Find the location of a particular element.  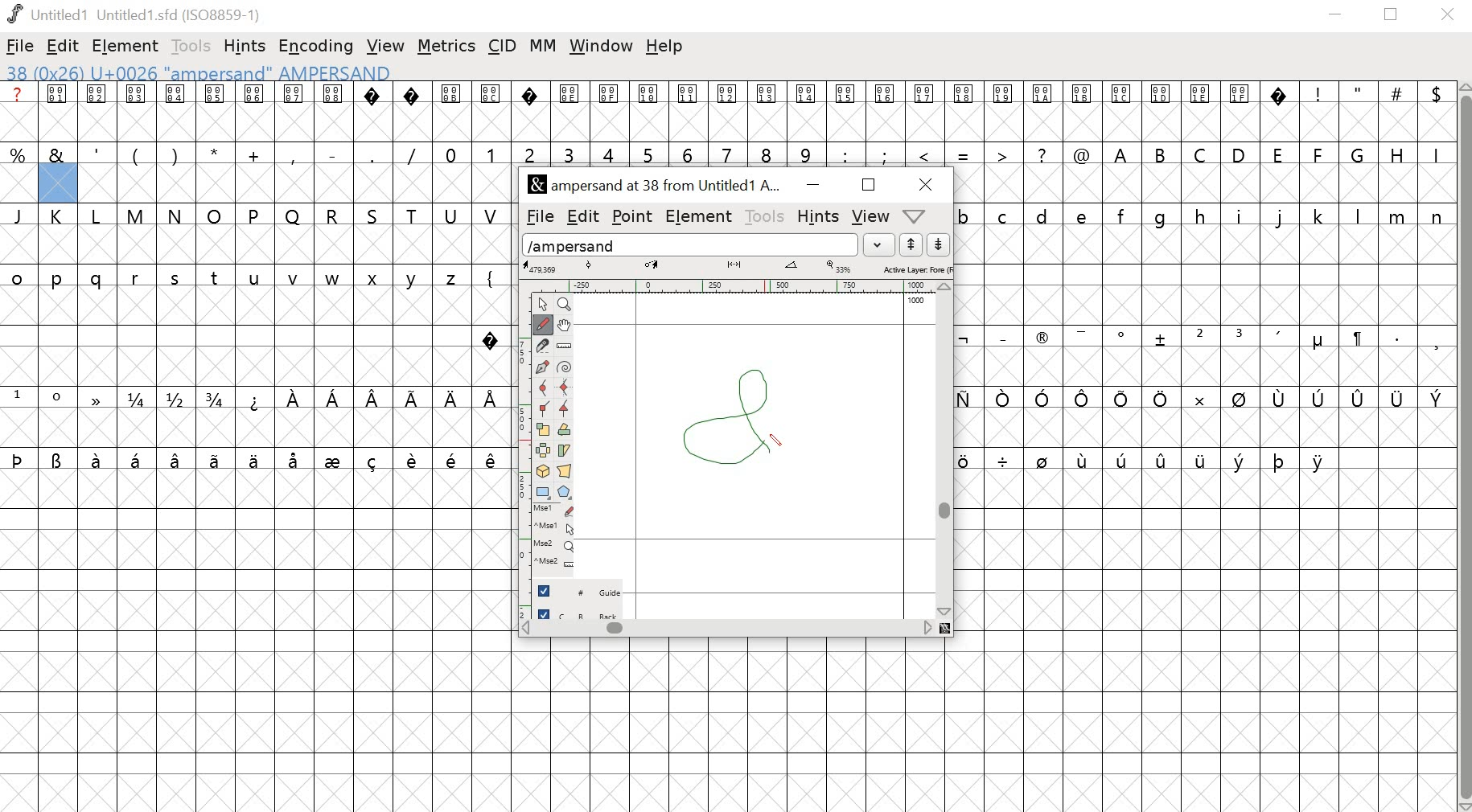

0004 is located at coordinates (175, 112).